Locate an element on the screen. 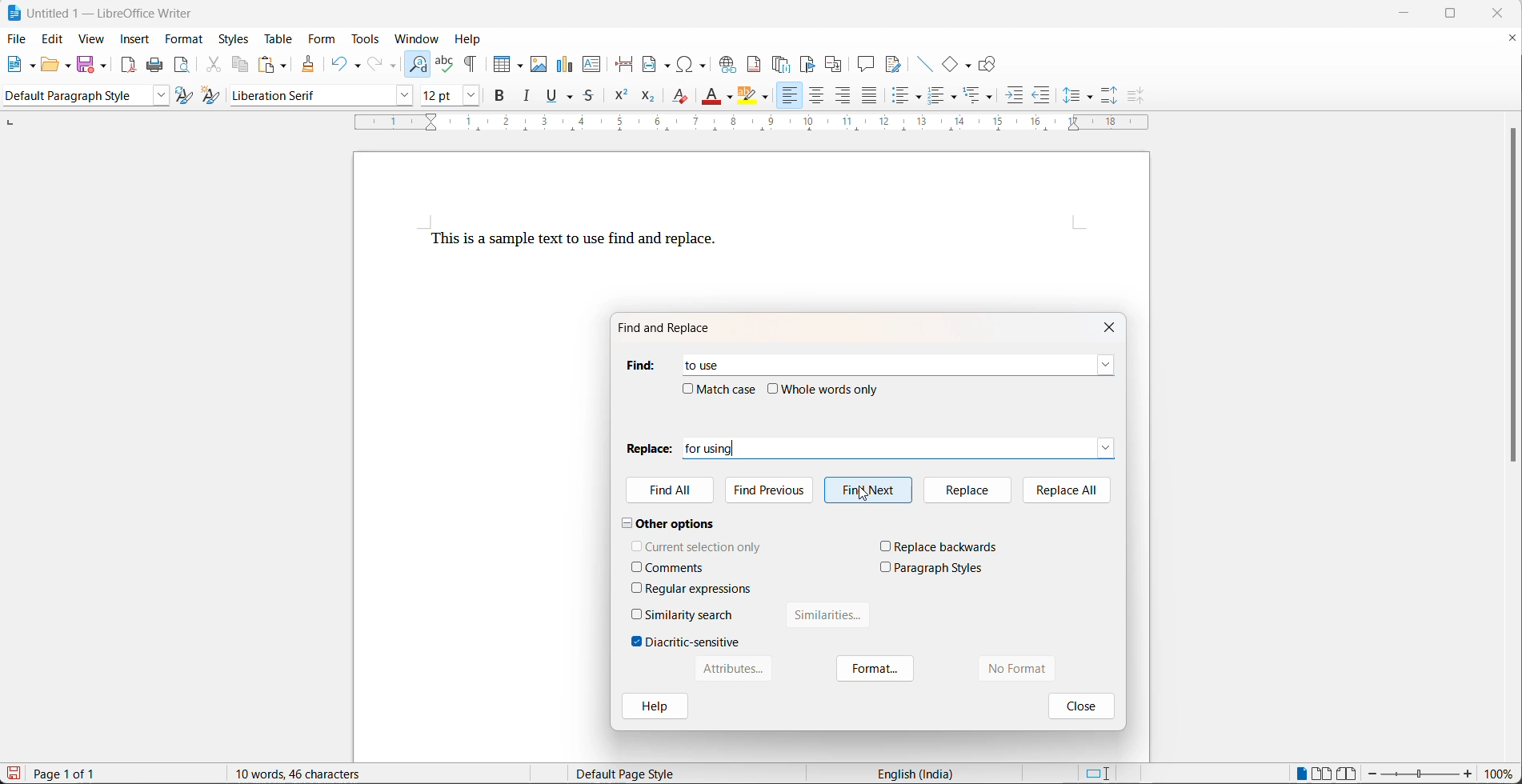  toggle ordered list is located at coordinates (938, 97).